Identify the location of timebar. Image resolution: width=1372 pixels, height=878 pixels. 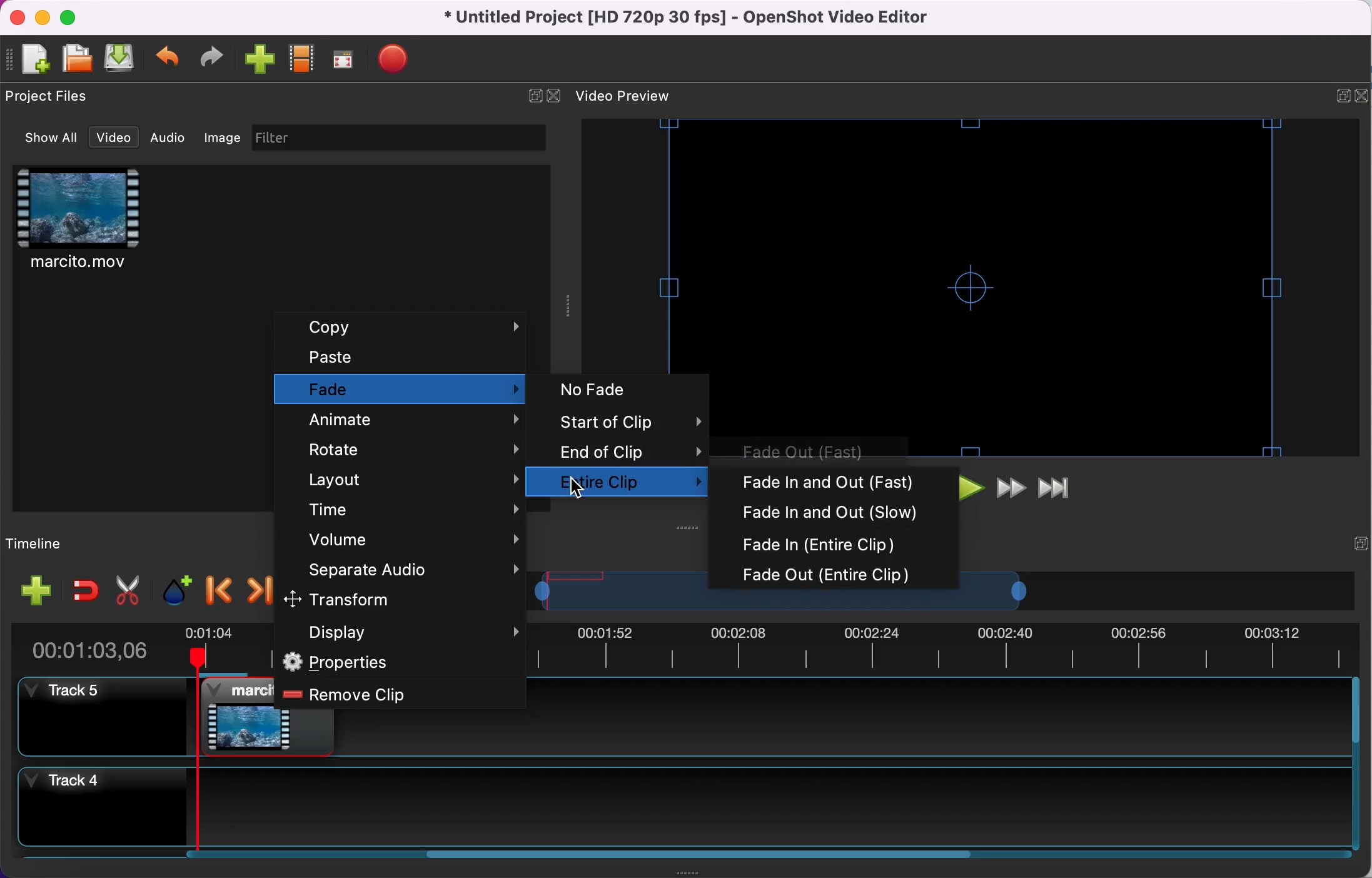
(219, 651).